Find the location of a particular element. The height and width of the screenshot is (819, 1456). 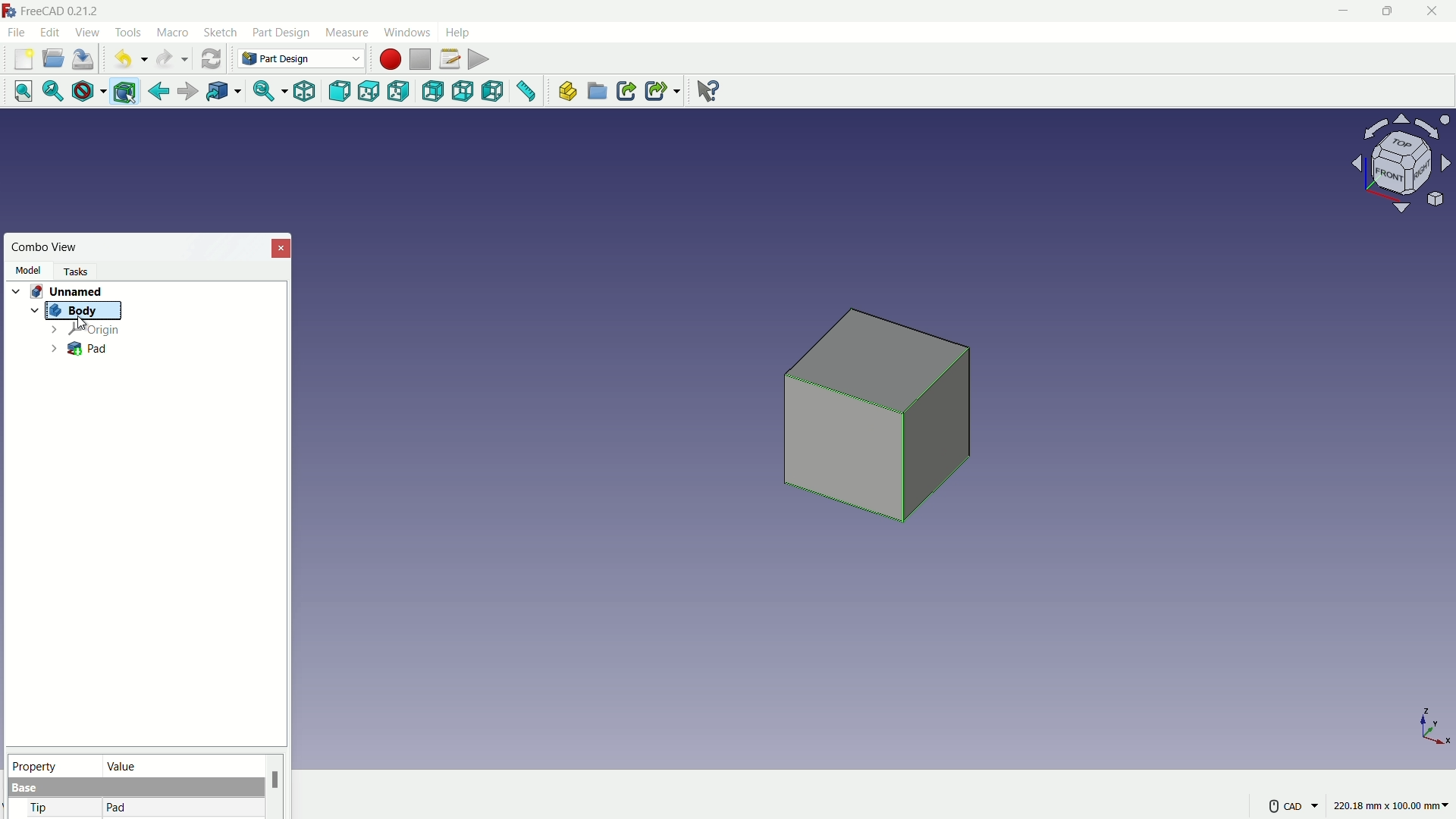

back view is located at coordinates (435, 93).